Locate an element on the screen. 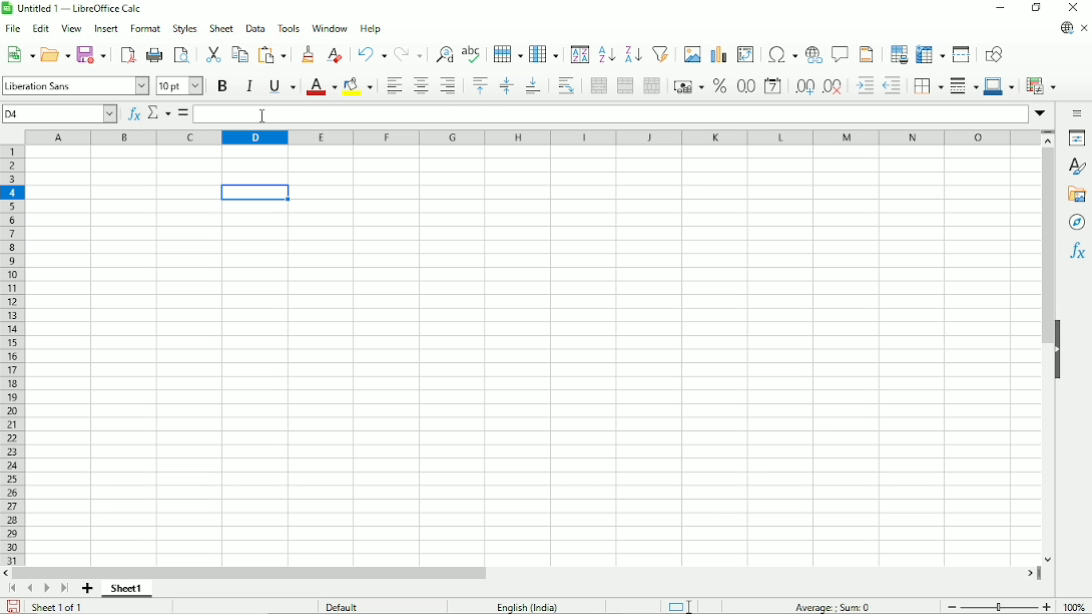 This screenshot has width=1092, height=614. Scroll to last sheet is located at coordinates (65, 588).